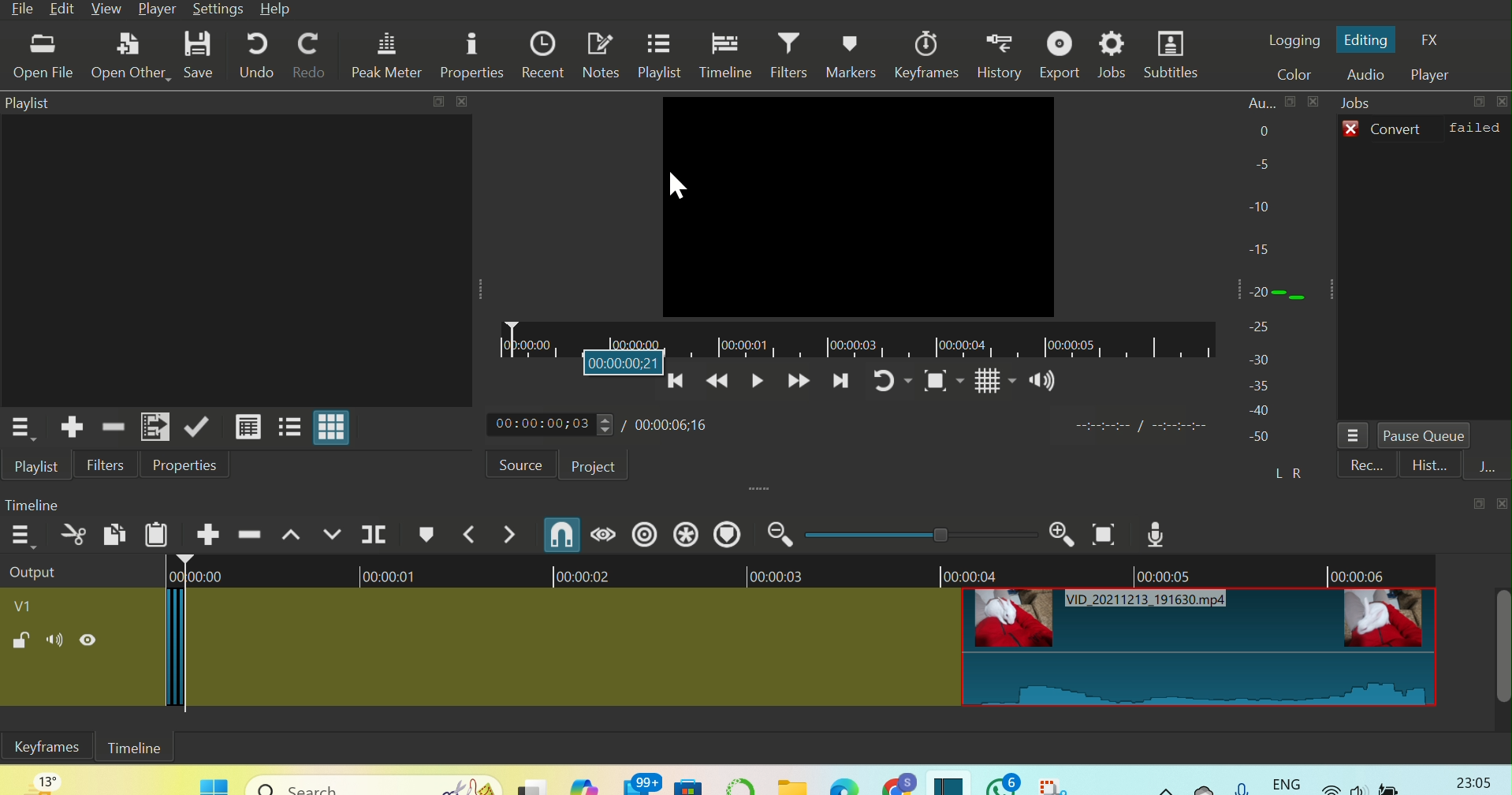 The image size is (1512, 795). What do you see at coordinates (664, 56) in the screenshot?
I see `Playlist` at bounding box center [664, 56].